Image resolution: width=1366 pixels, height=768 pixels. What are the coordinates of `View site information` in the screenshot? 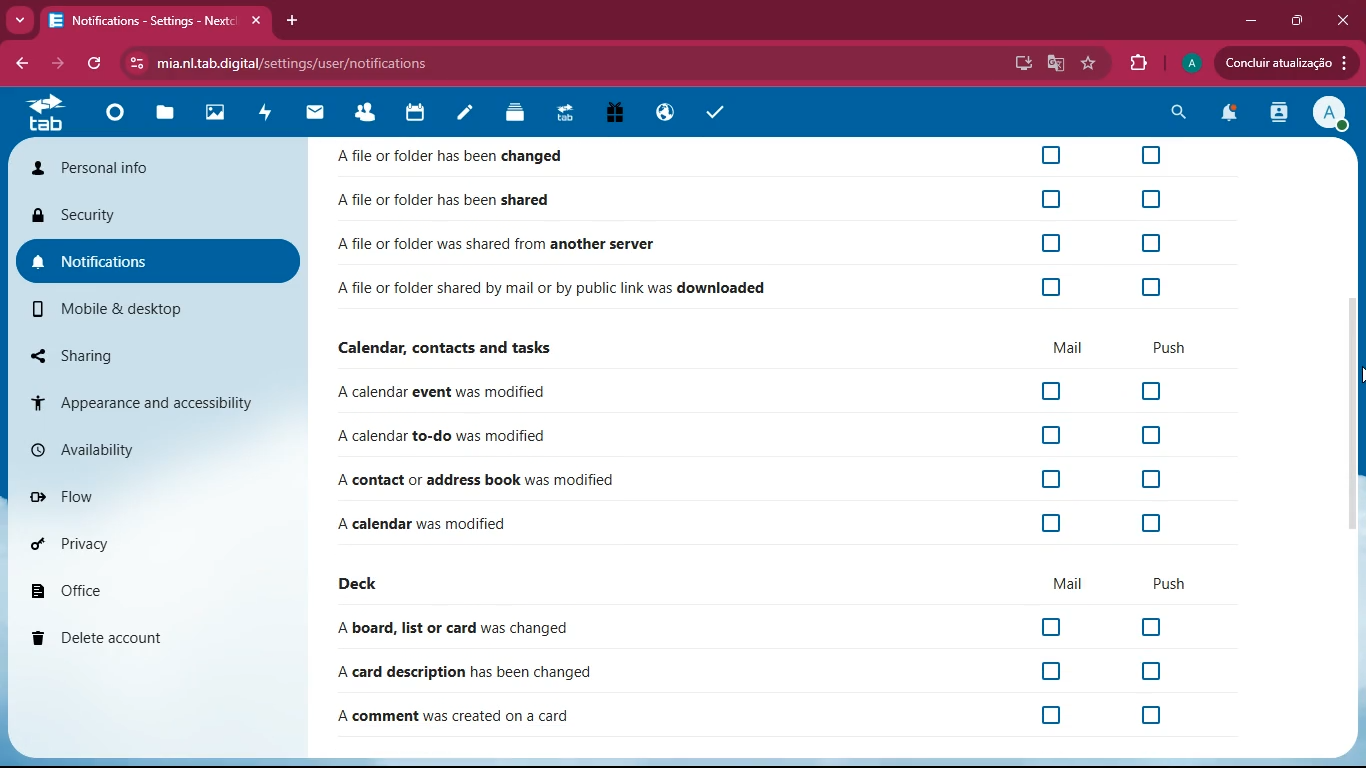 It's located at (138, 64).